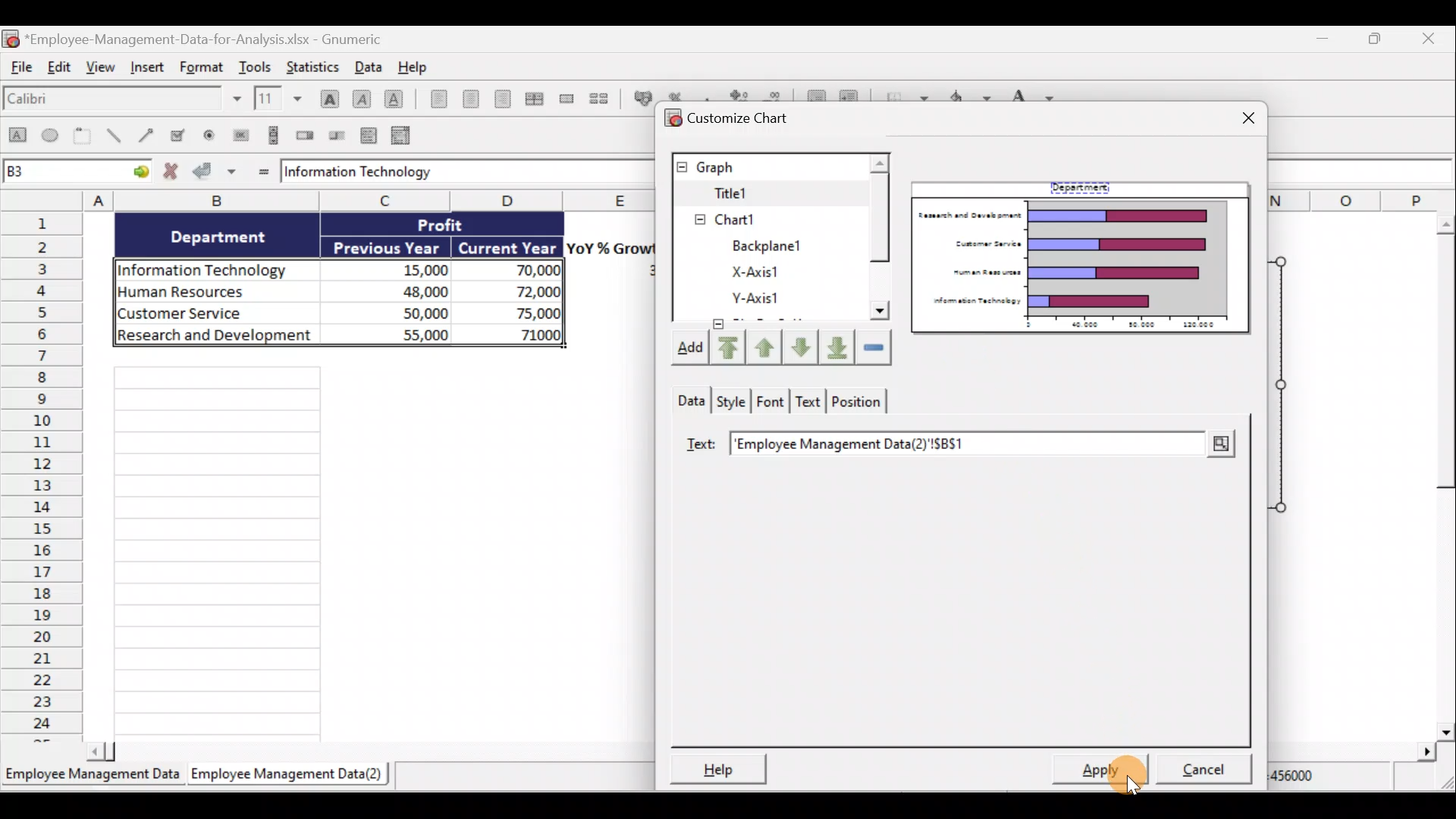 Image resolution: width=1456 pixels, height=819 pixels. I want to click on Text, so click(700, 445).